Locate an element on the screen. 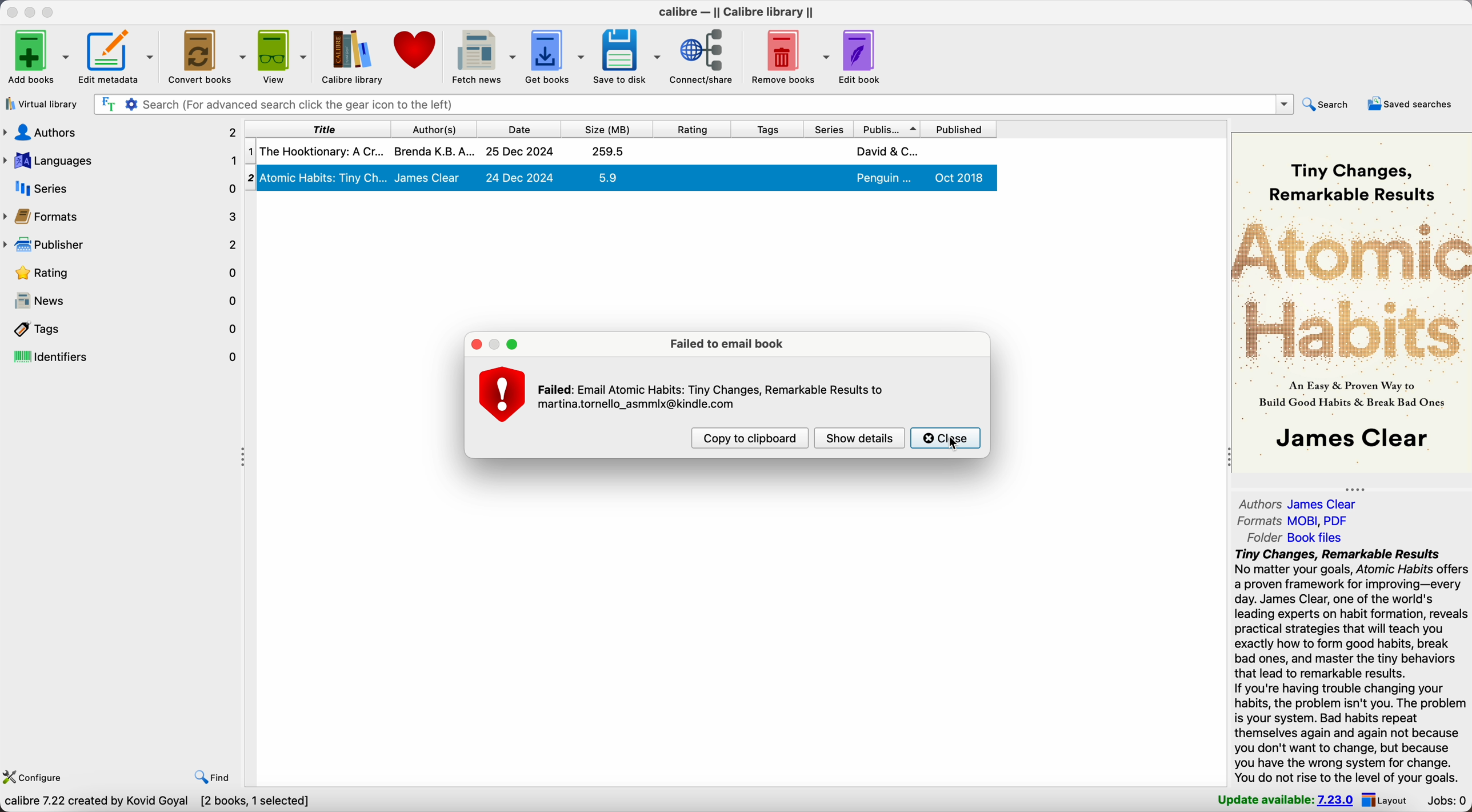 Image resolution: width=1472 pixels, height=812 pixels. author(s) is located at coordinates (431, 128).